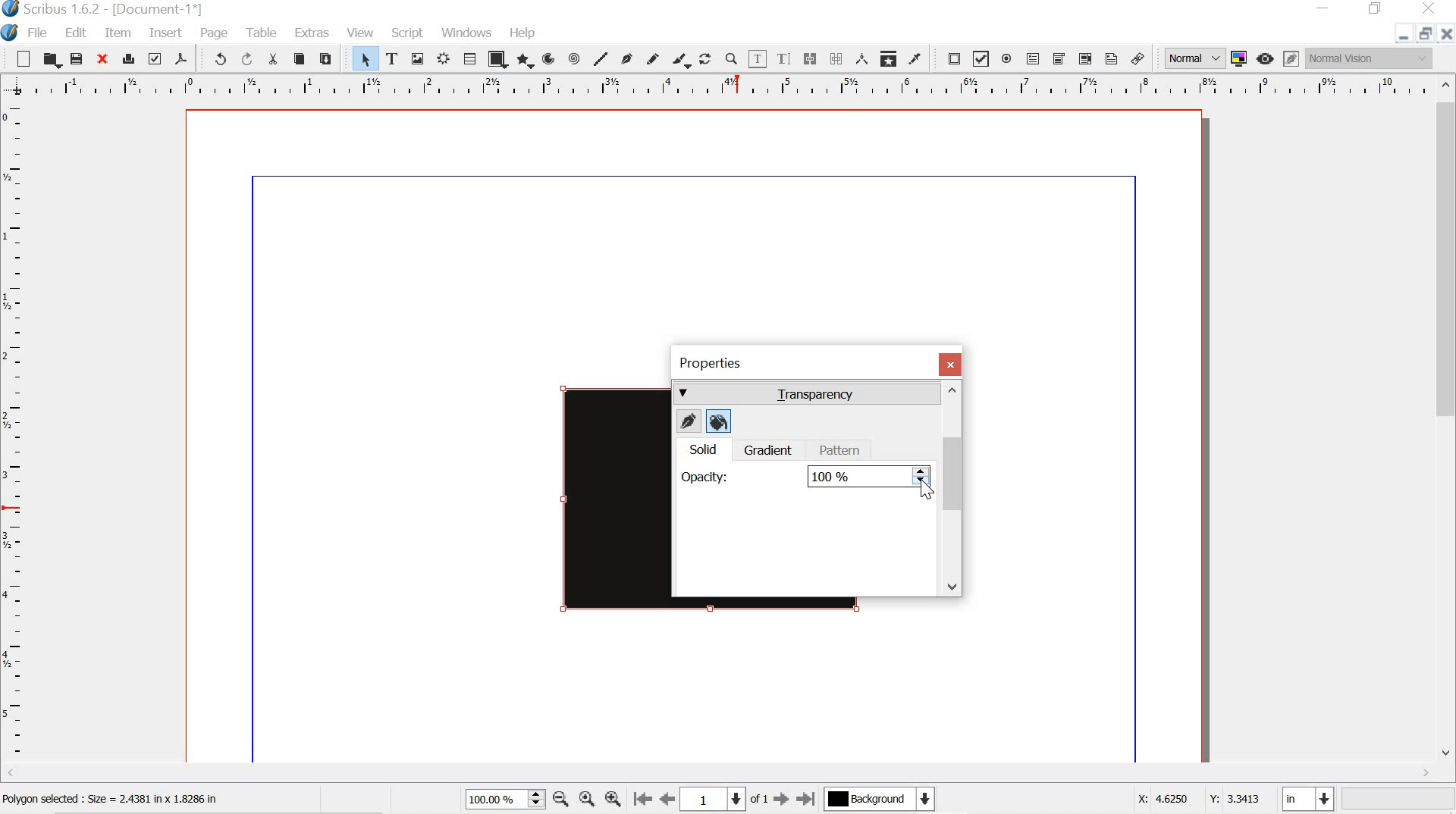 This screenshot has height=814, width=1456. What do you see at coordinates (393, 58) in the screenshot?
I see `text frame` at bounding box center [393, 58].